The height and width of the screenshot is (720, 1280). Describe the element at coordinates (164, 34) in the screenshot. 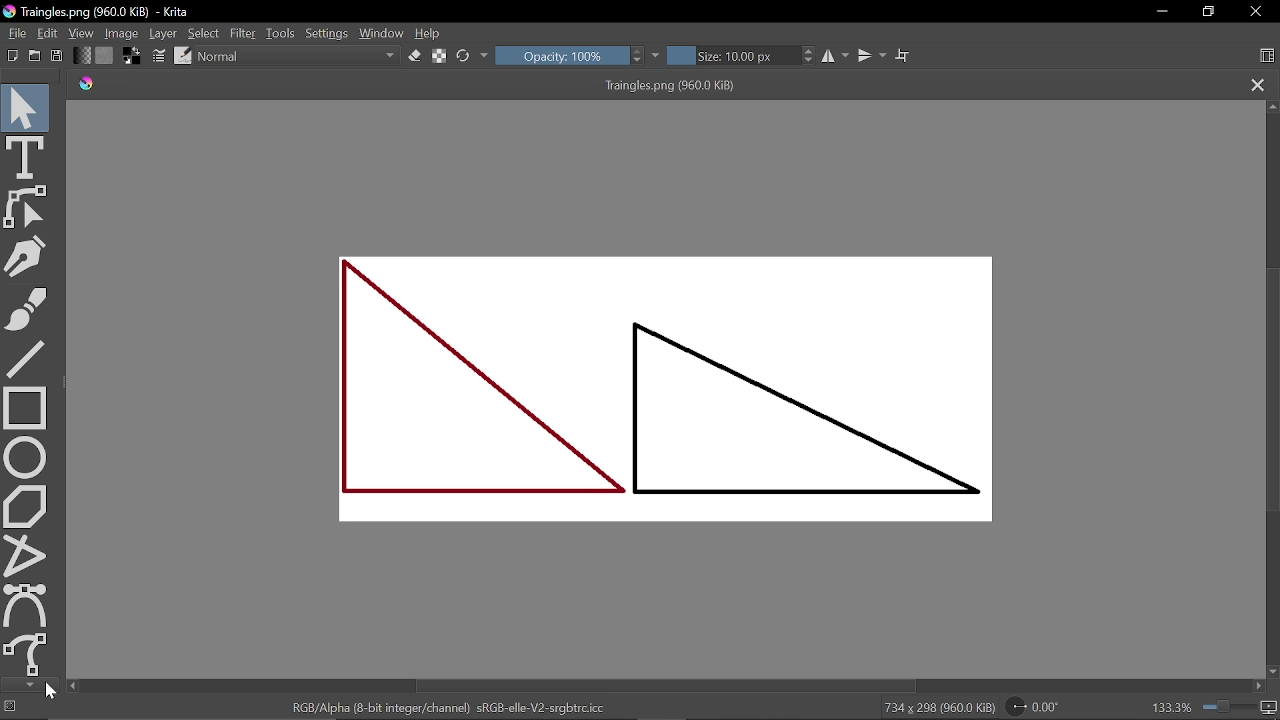

I see `Layer` at that location.